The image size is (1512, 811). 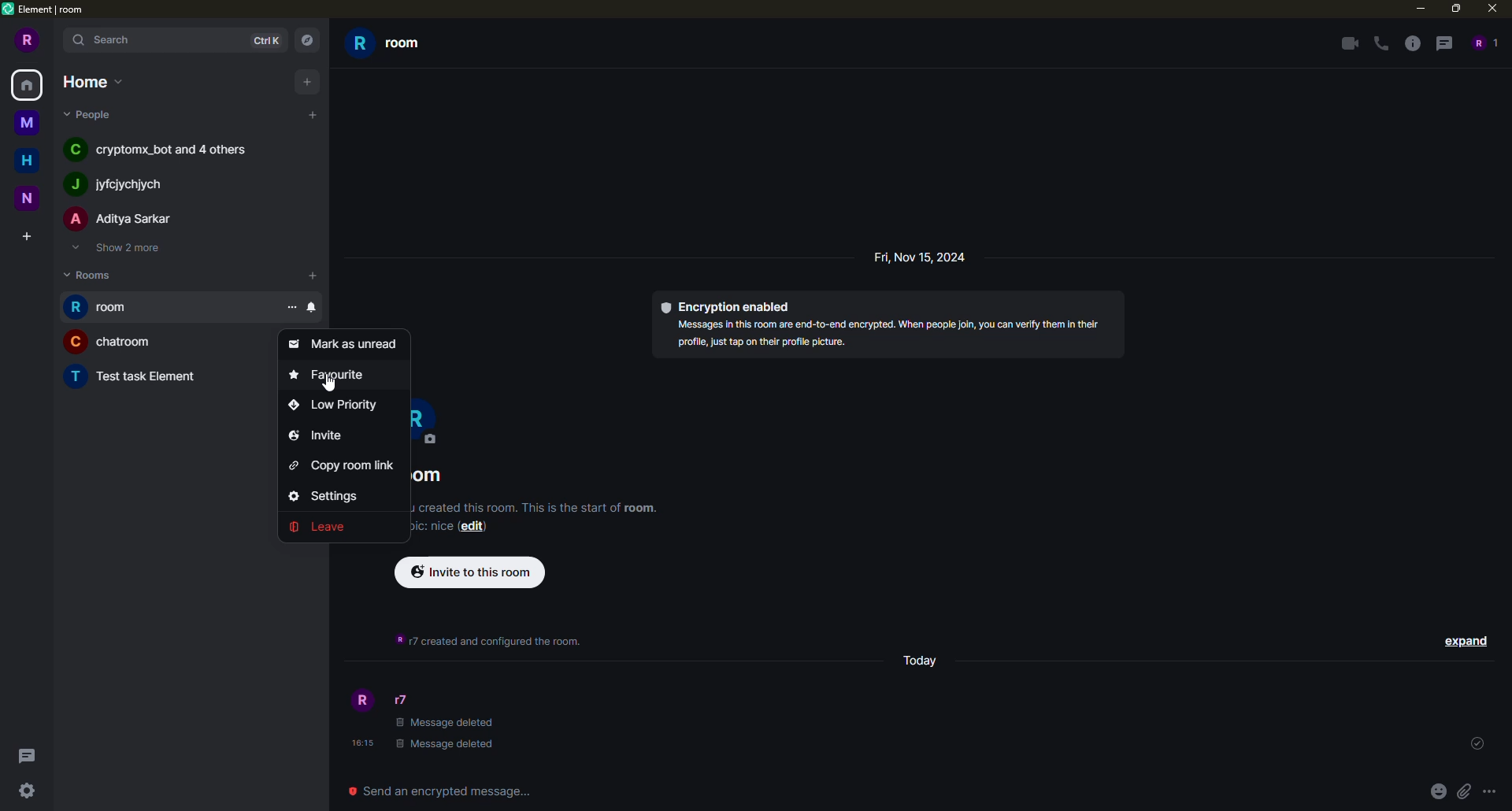 What do you see at coordinates (446, 746) in the screenshot?
I see `8 Message deleted` at bounding box center [446, 746].